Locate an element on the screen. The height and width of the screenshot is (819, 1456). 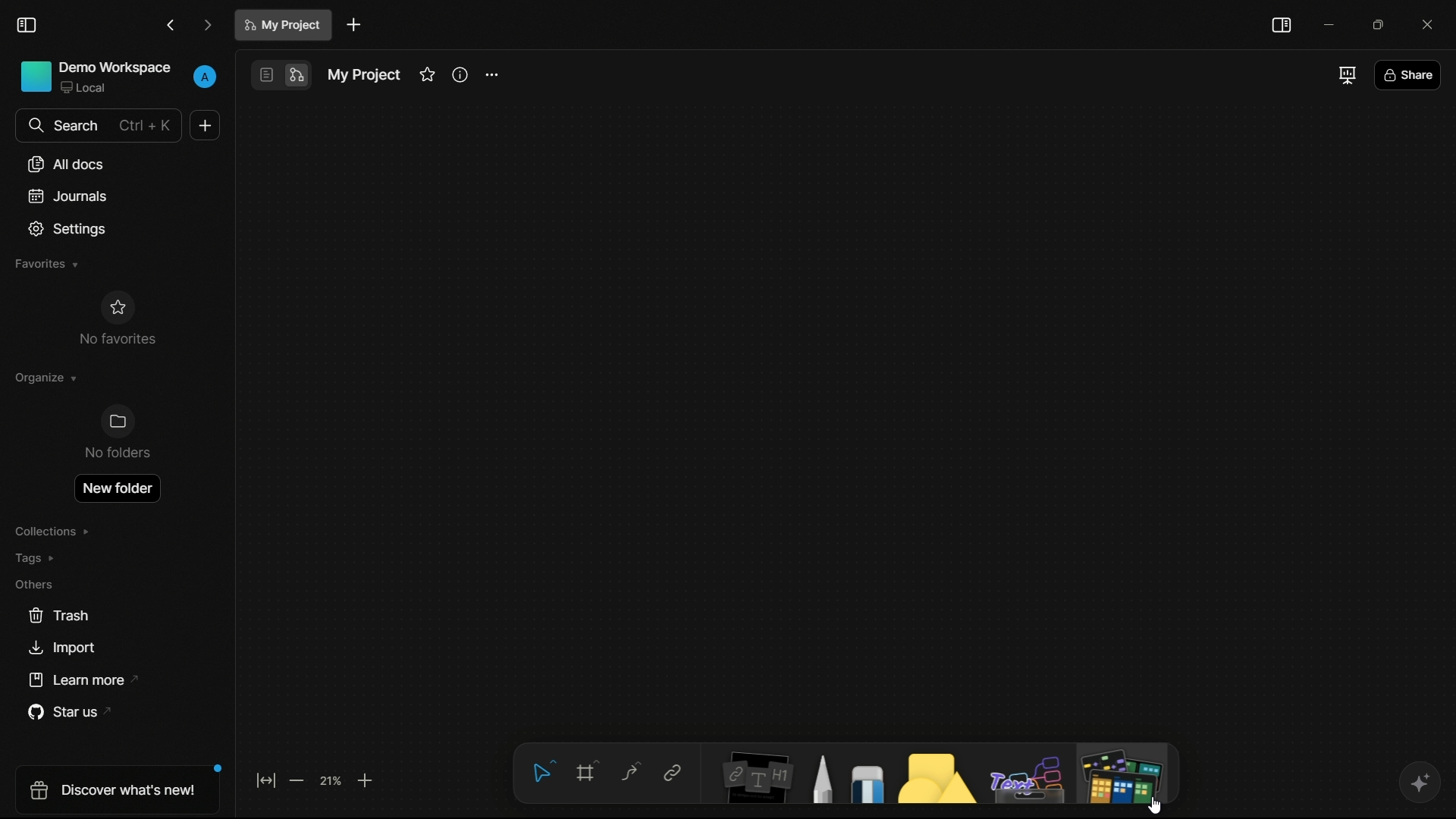
select is located at coordinates (544, 773).